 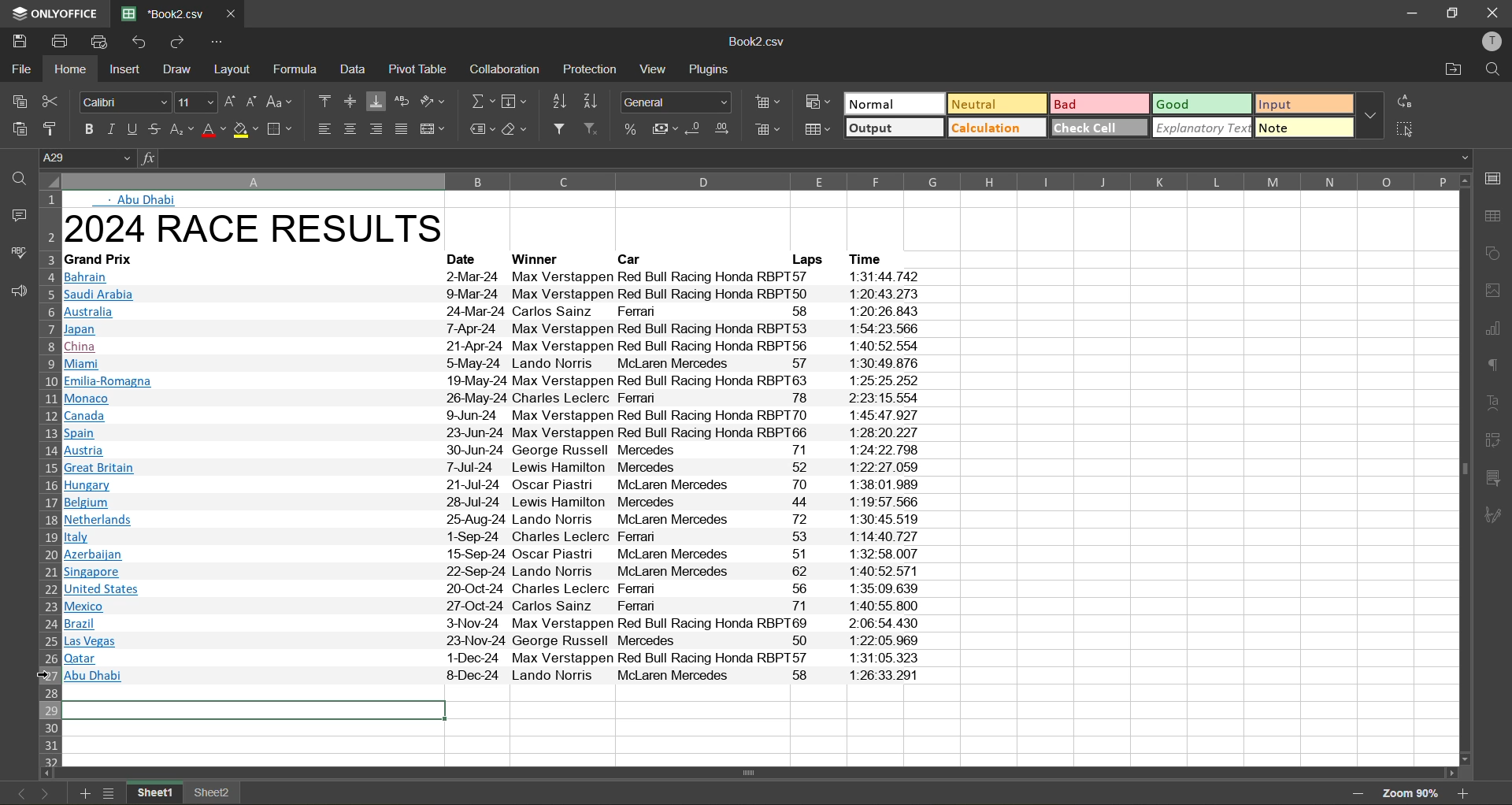 What do you see at coordinates (506, 69) in the screenshot?
I see `collaboration` at bounding box center [506, 69].